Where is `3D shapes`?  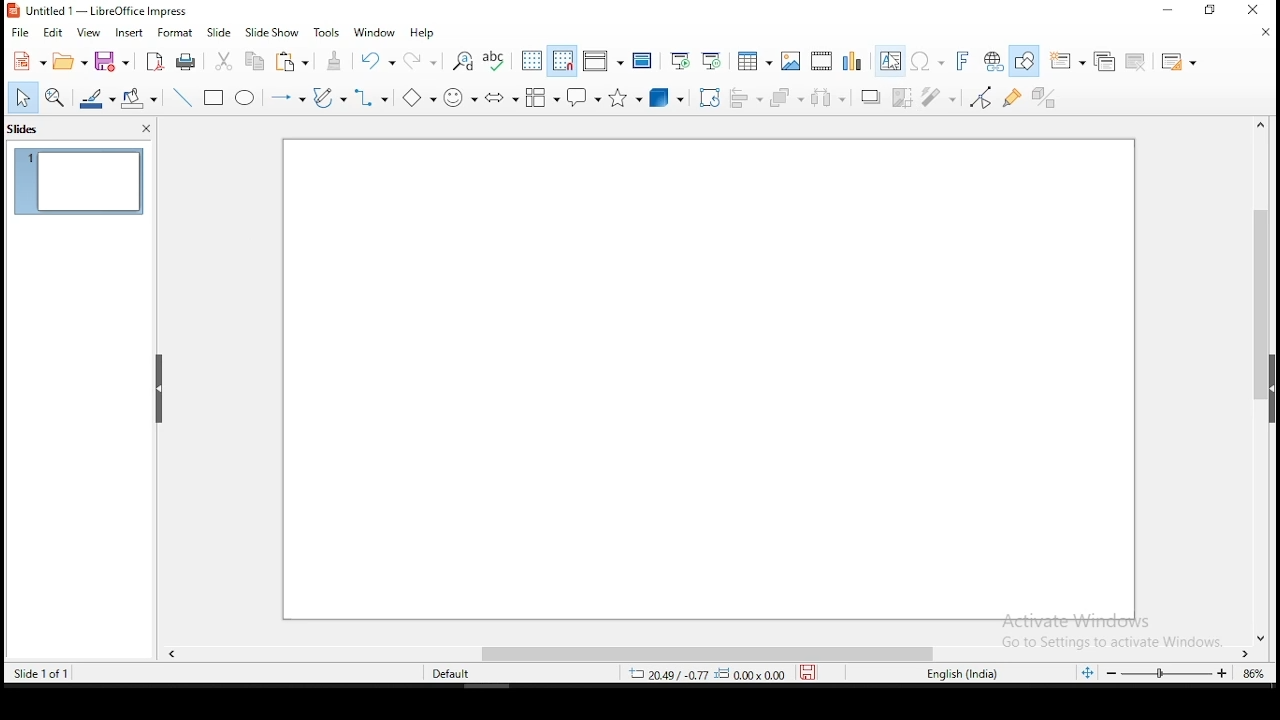 3D shapes is located at coordinates (667, 98).